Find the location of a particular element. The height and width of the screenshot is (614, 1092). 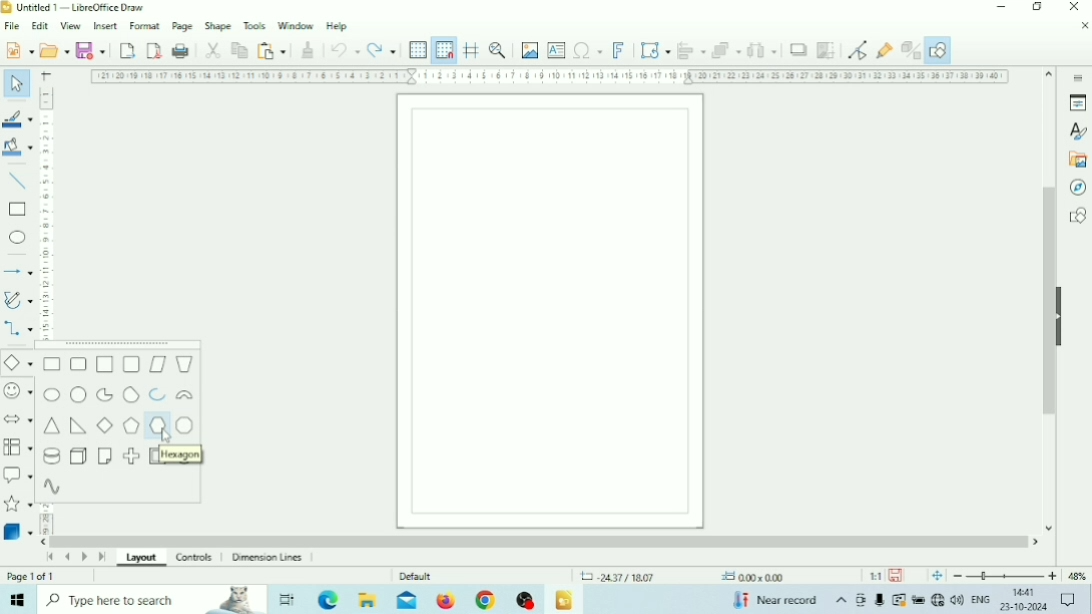

3D Objects is located at coordinates (18, 531).